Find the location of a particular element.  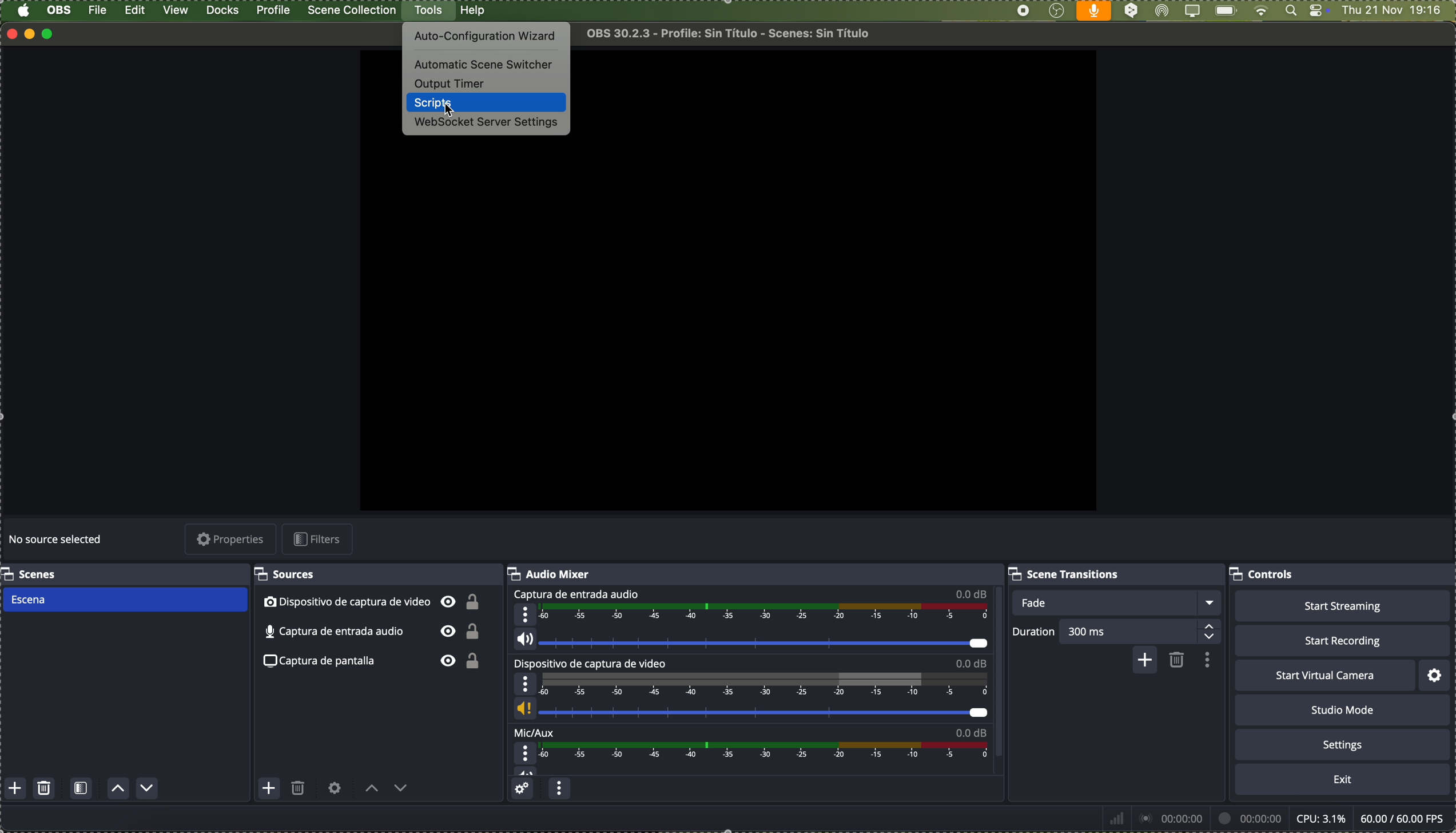

DeepL is located at coordinates (1132, 11).